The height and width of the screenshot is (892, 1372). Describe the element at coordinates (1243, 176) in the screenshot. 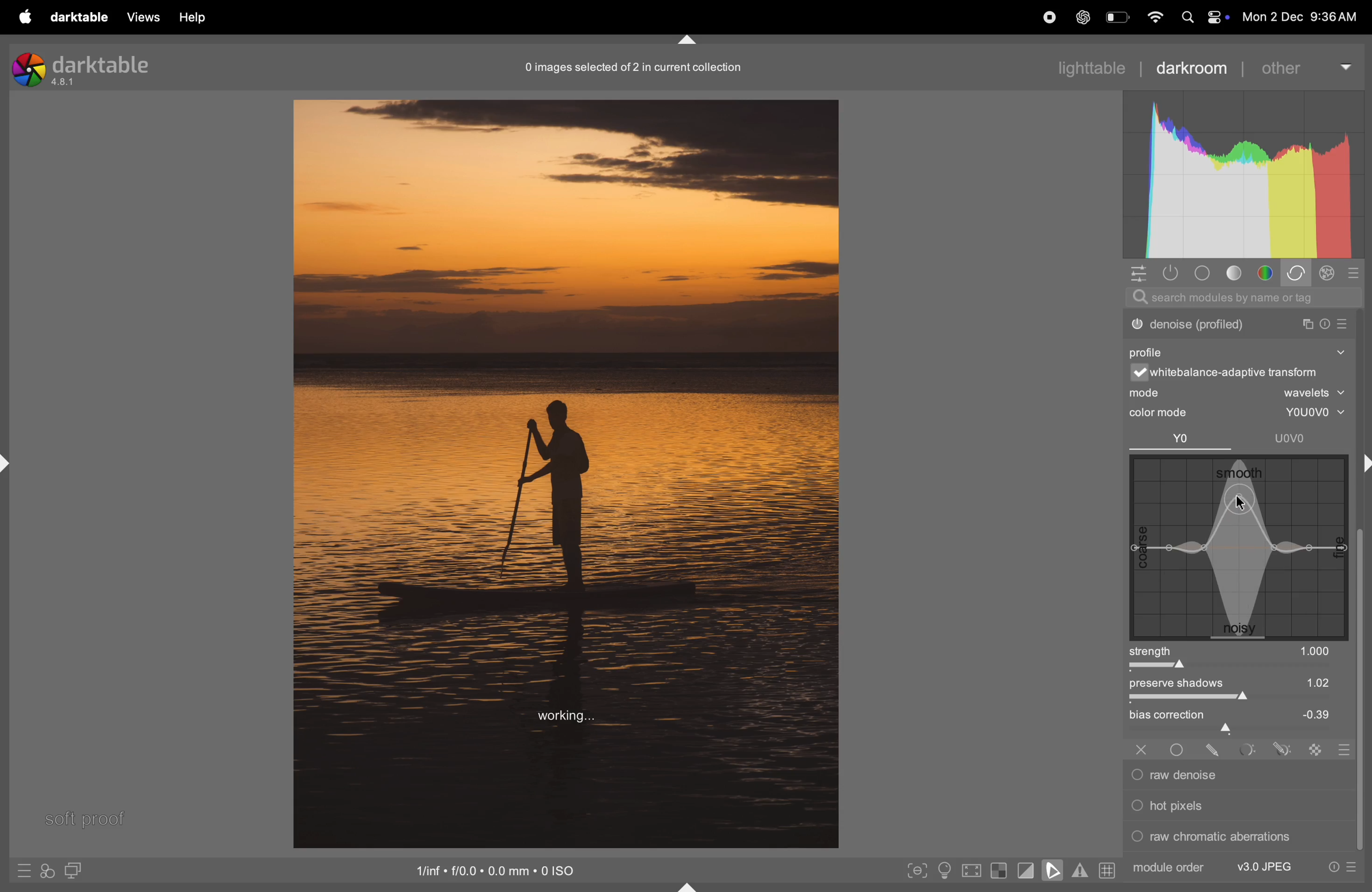

I see `histogram` at that location.